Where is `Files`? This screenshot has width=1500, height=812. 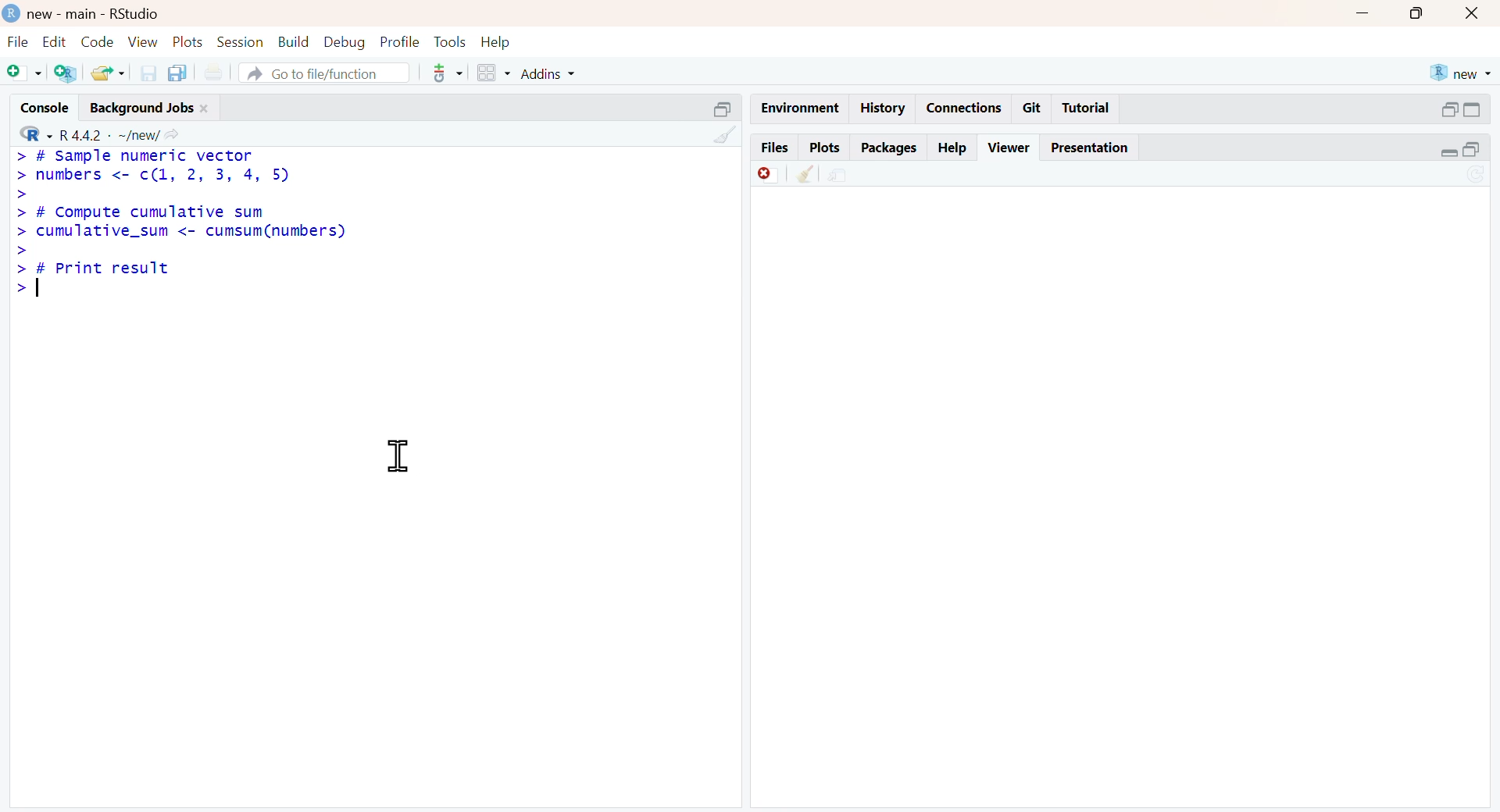
Files is located at coordinates (775, 148).